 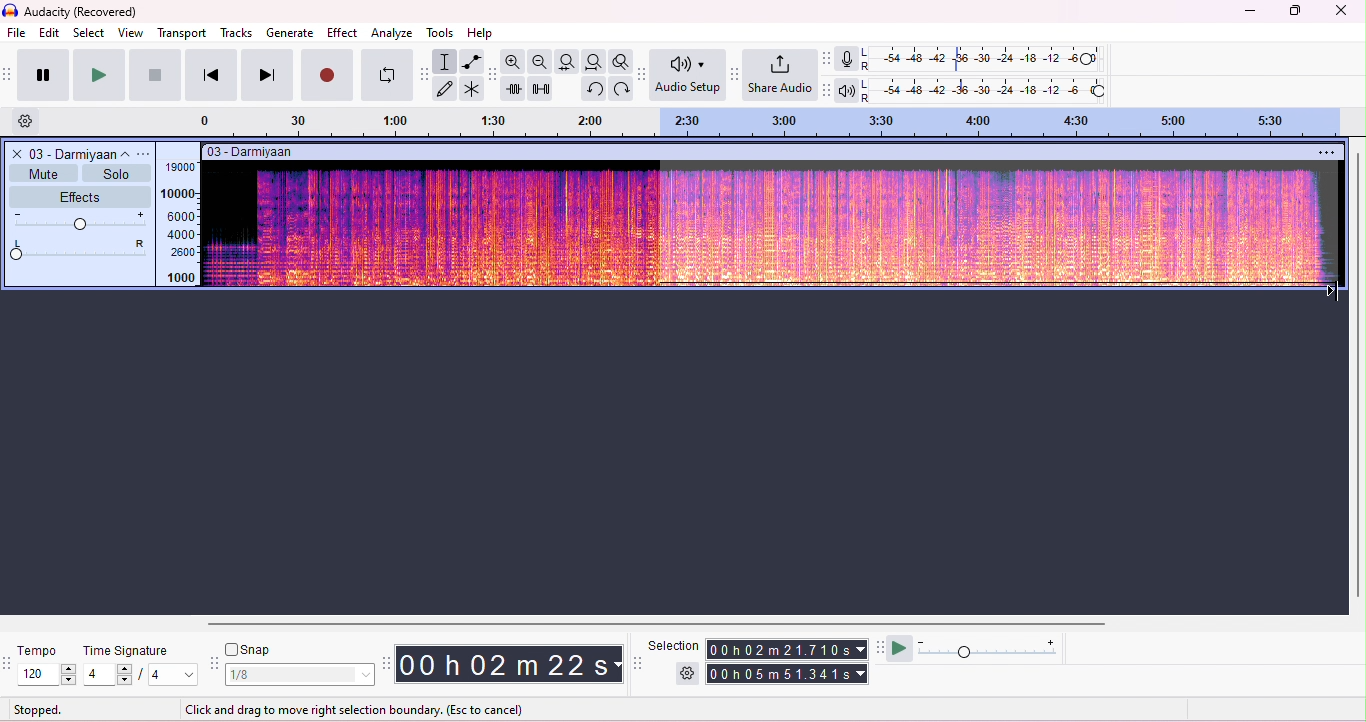 What do you see at coordinates (90, 32) in the screenshot?
I see `select` at bounding box center [90, 32].